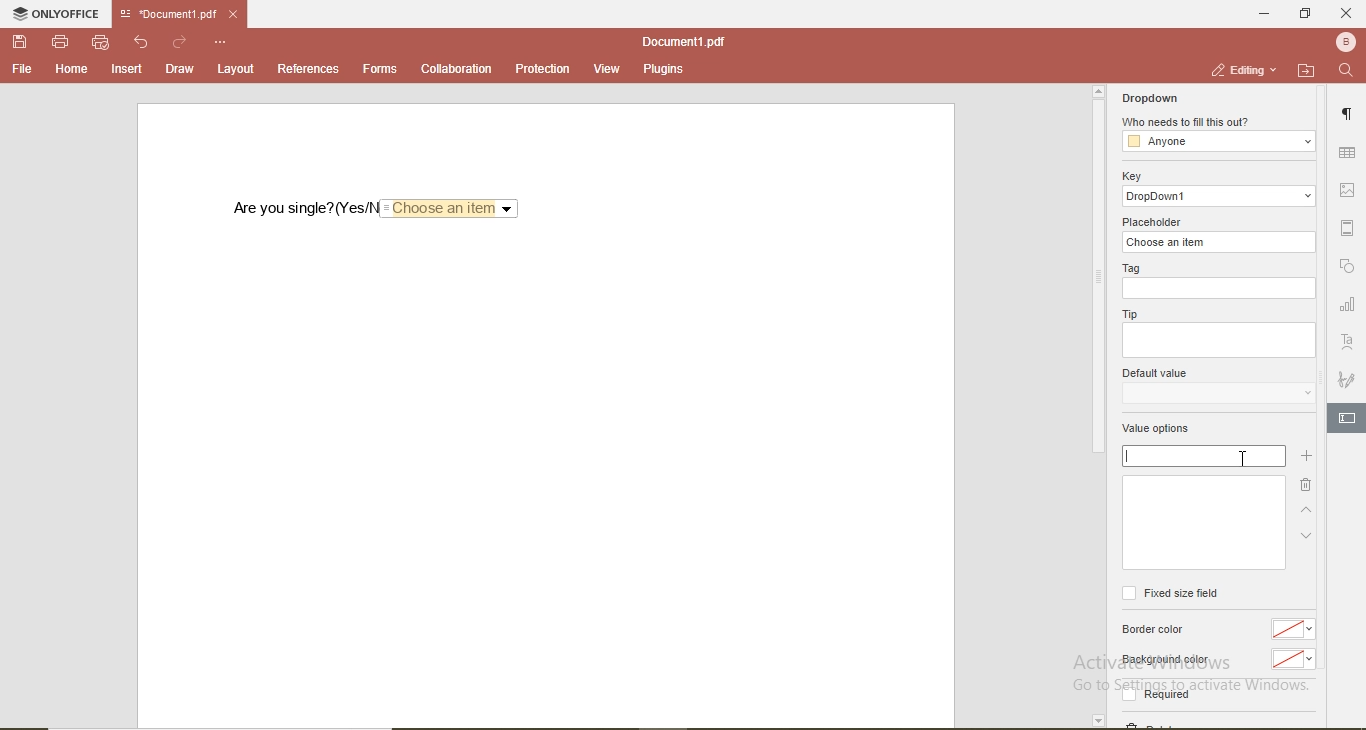  Describe the element at coordinates (73, 70) in the screenshot. I see `home` at that location.